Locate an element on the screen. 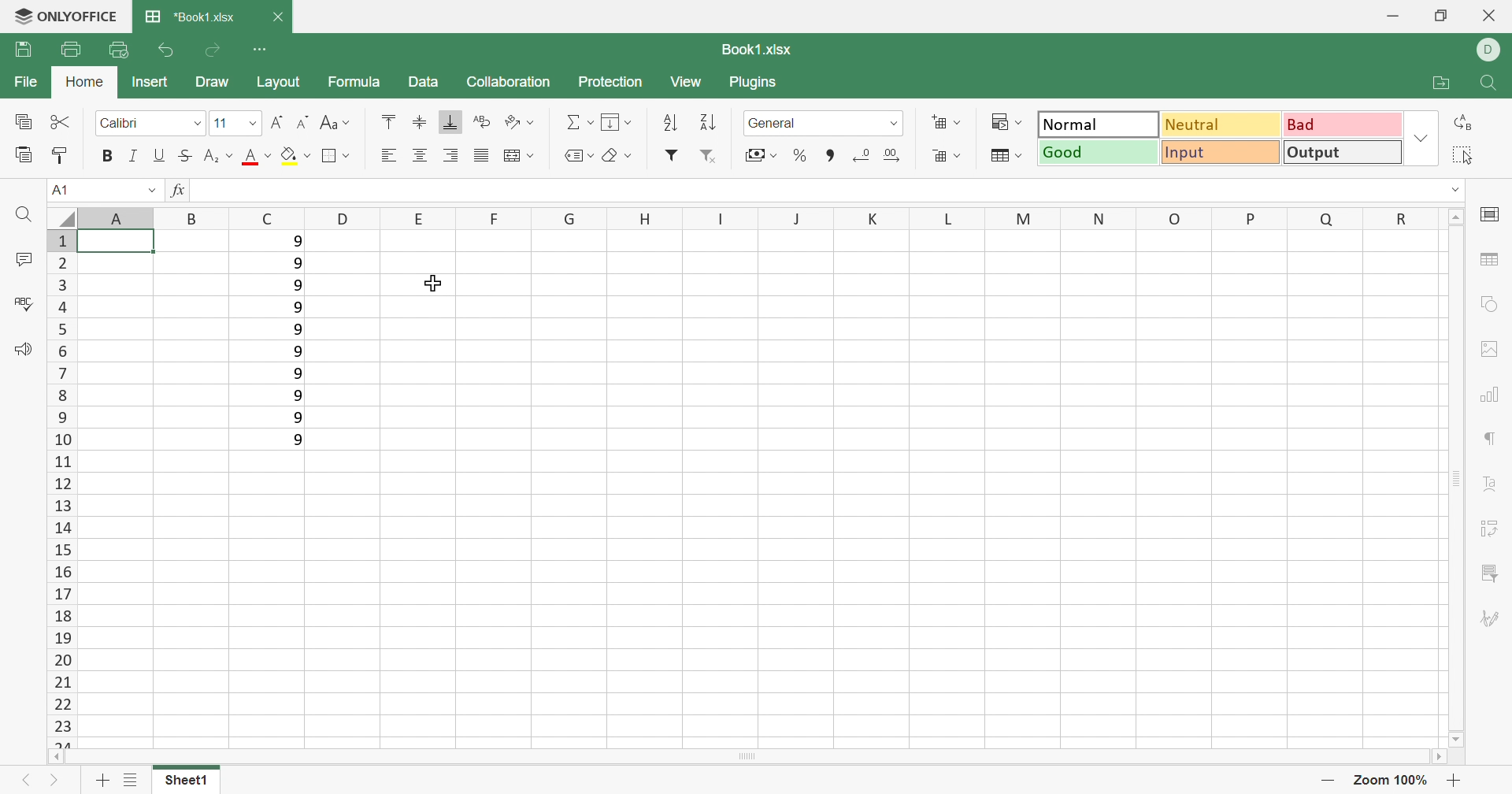  shape settings is located at coordinates (1494, 305).